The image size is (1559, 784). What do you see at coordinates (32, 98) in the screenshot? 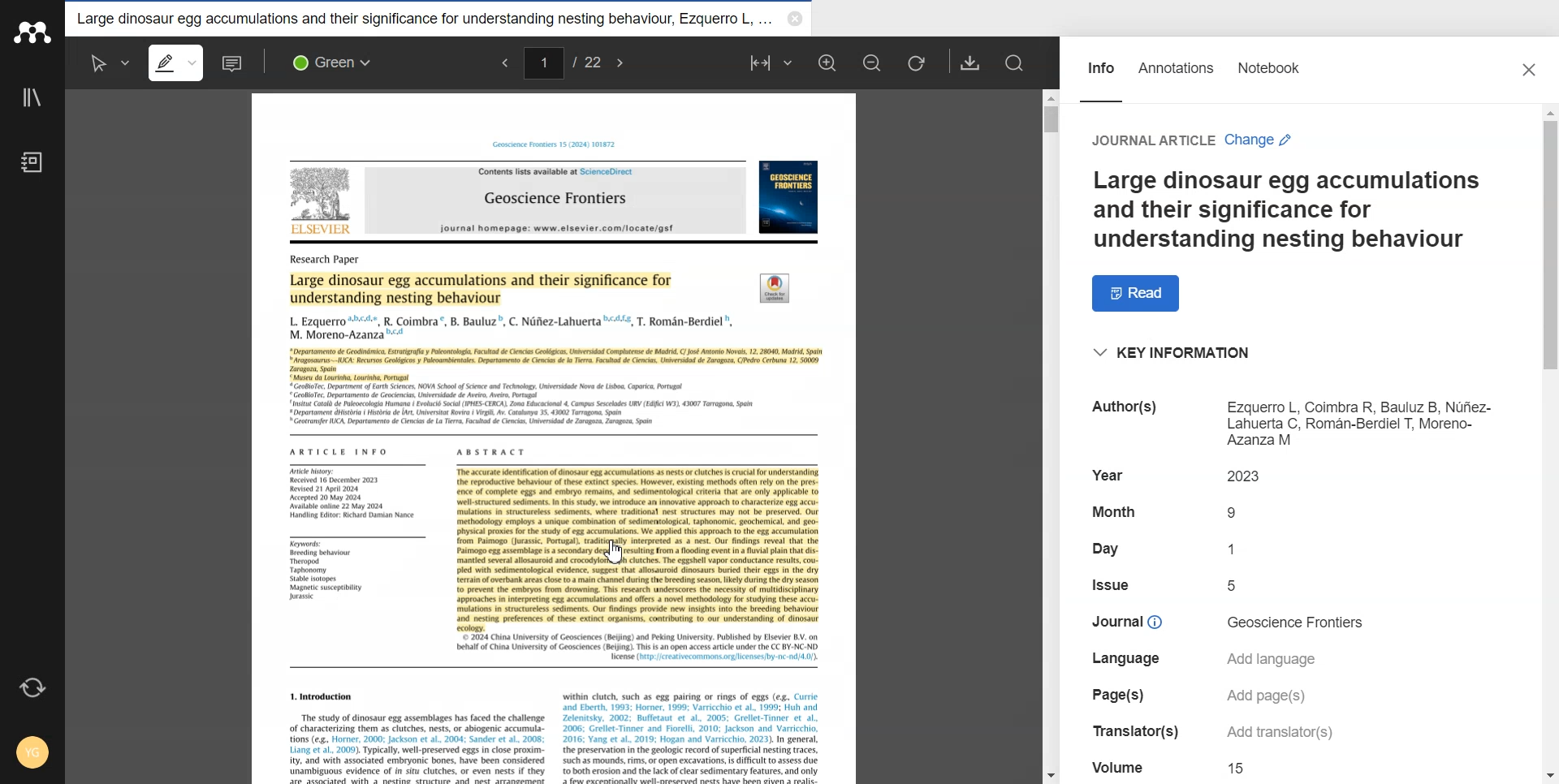
I see `Library` at bounding box center [32, 98].